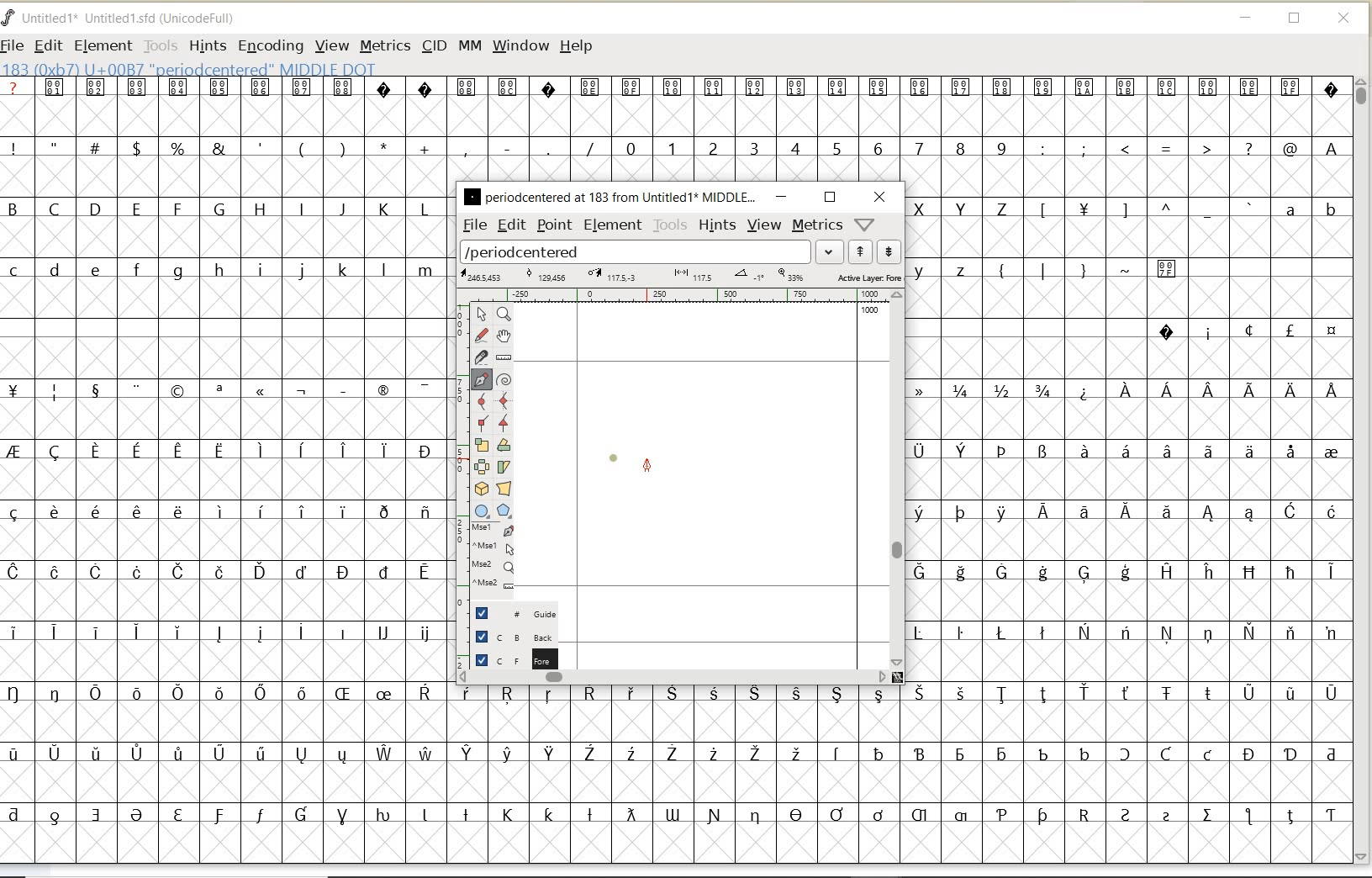 The height and width of the screenshot is (878, 1372). I want to click on ENCODING, so click(271, 47).